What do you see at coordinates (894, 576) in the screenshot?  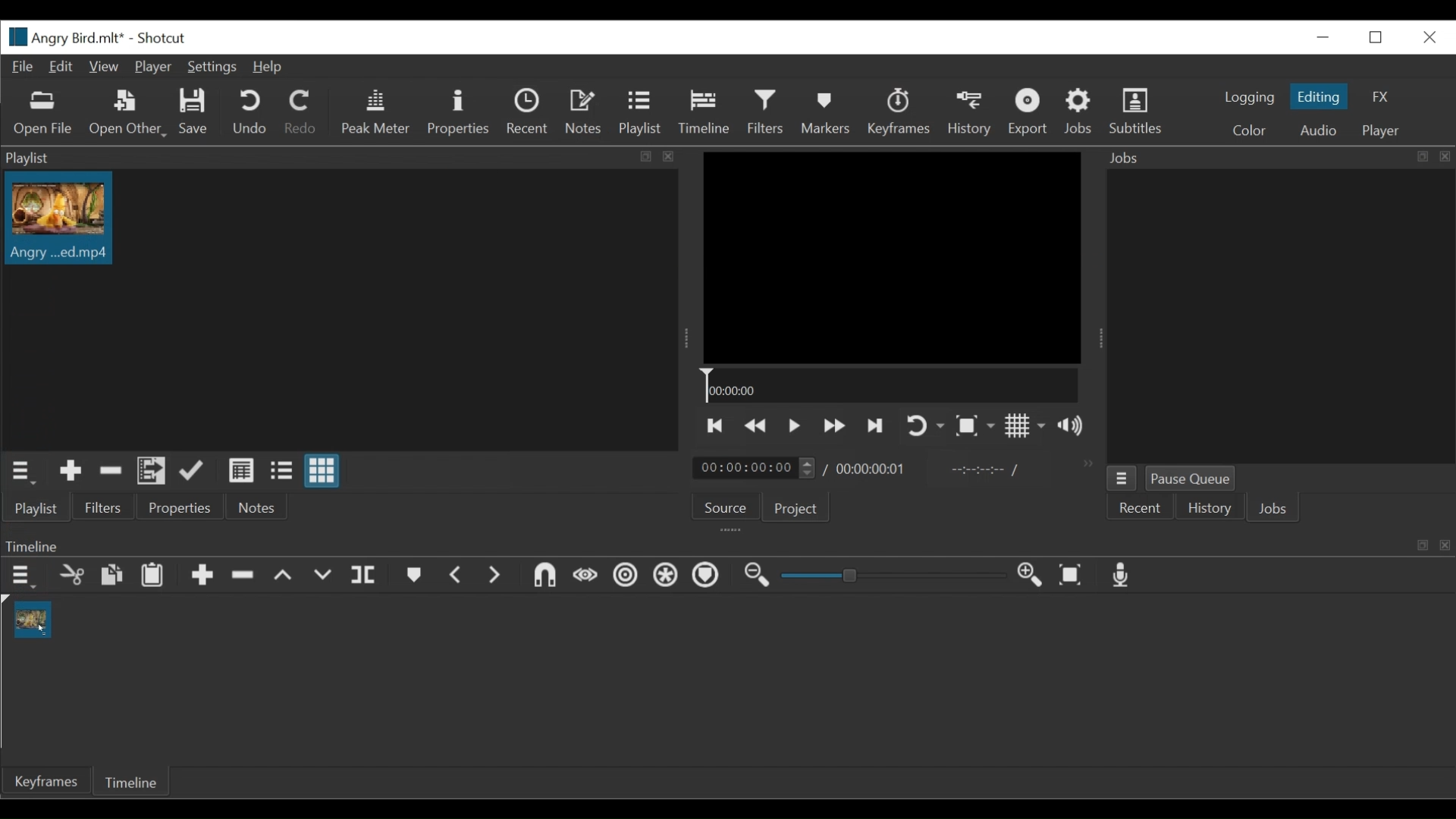 I see `Slider` at bounding box center [894, 576].